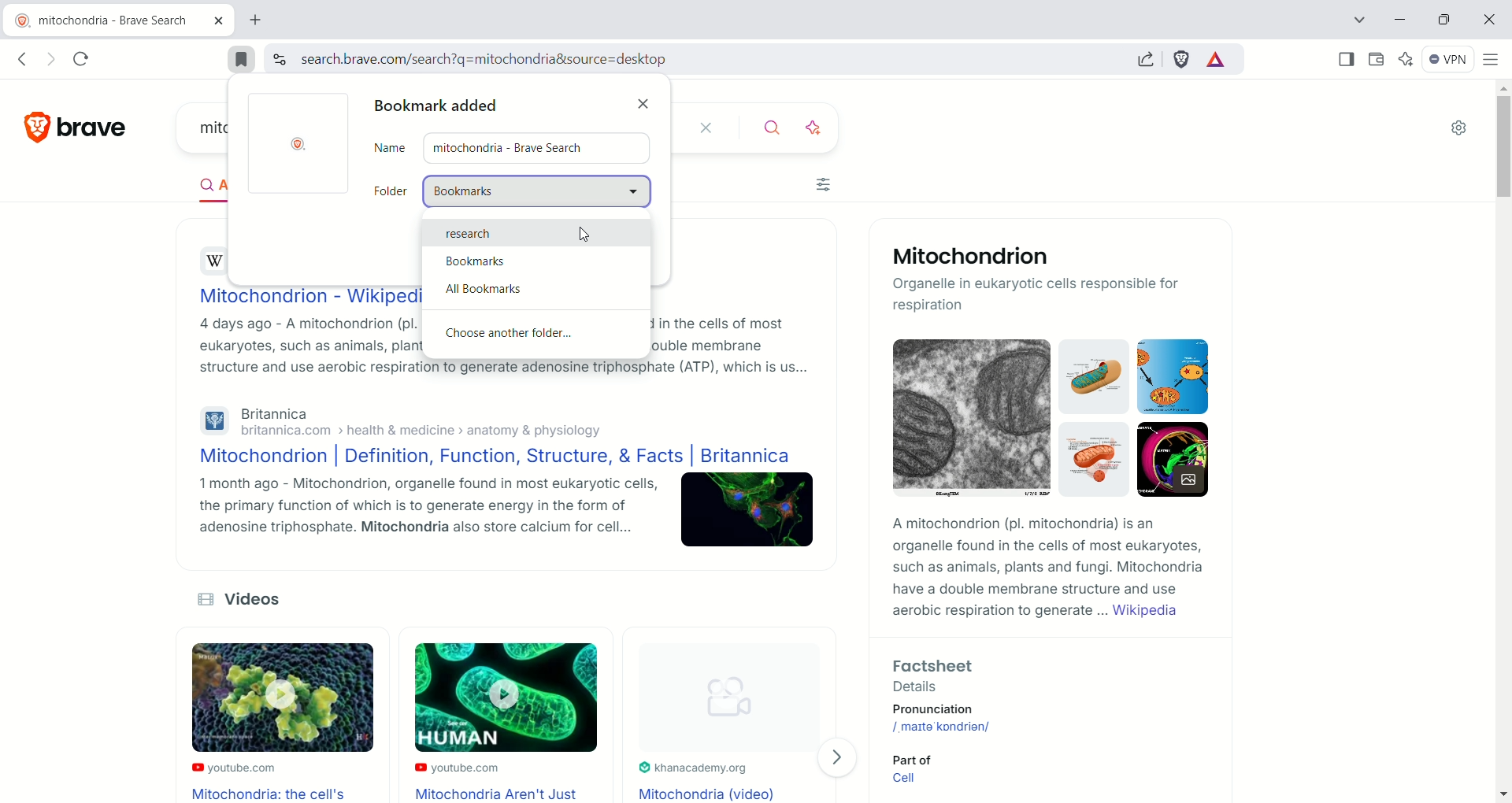 Image resolution: width=1512 pixels, height=803 pixels. Describe the element at coordinates (301, 145) in the screenshot. I see `Brave logo` at that location.